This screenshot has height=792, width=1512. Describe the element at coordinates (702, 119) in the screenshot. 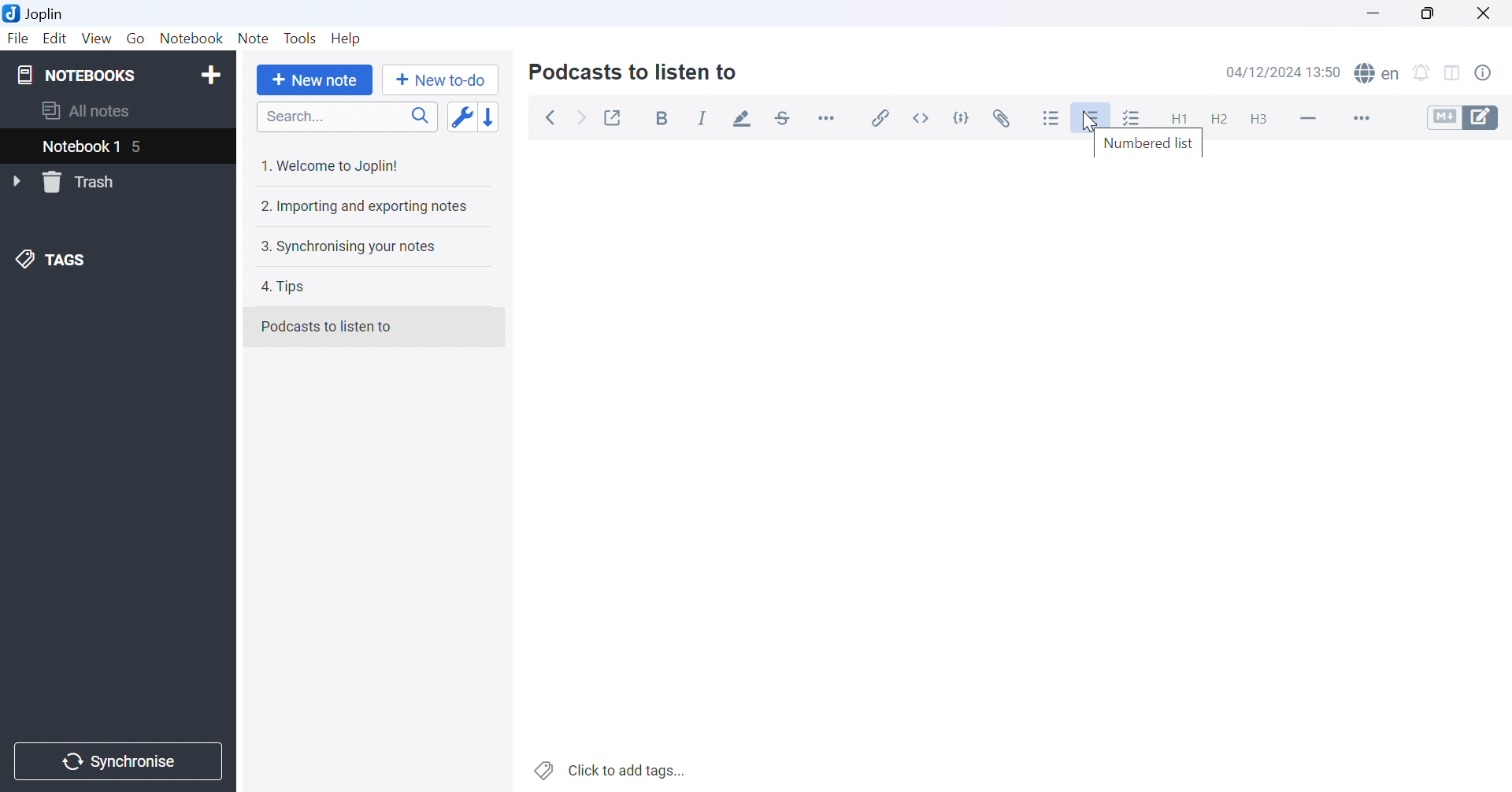

I see `Italic` at that location.